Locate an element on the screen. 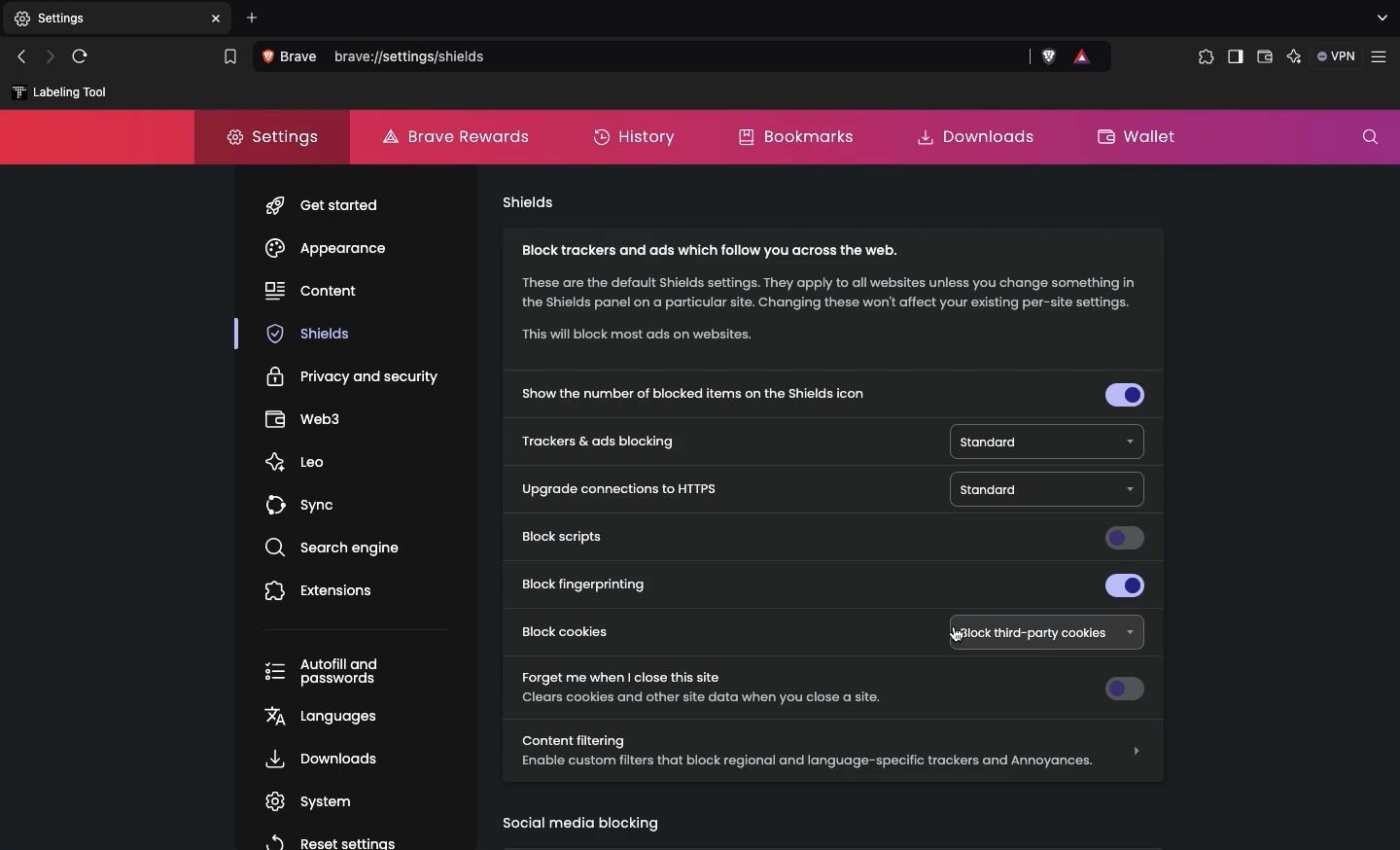  Privacy and security is located at coordinates (351, 377).